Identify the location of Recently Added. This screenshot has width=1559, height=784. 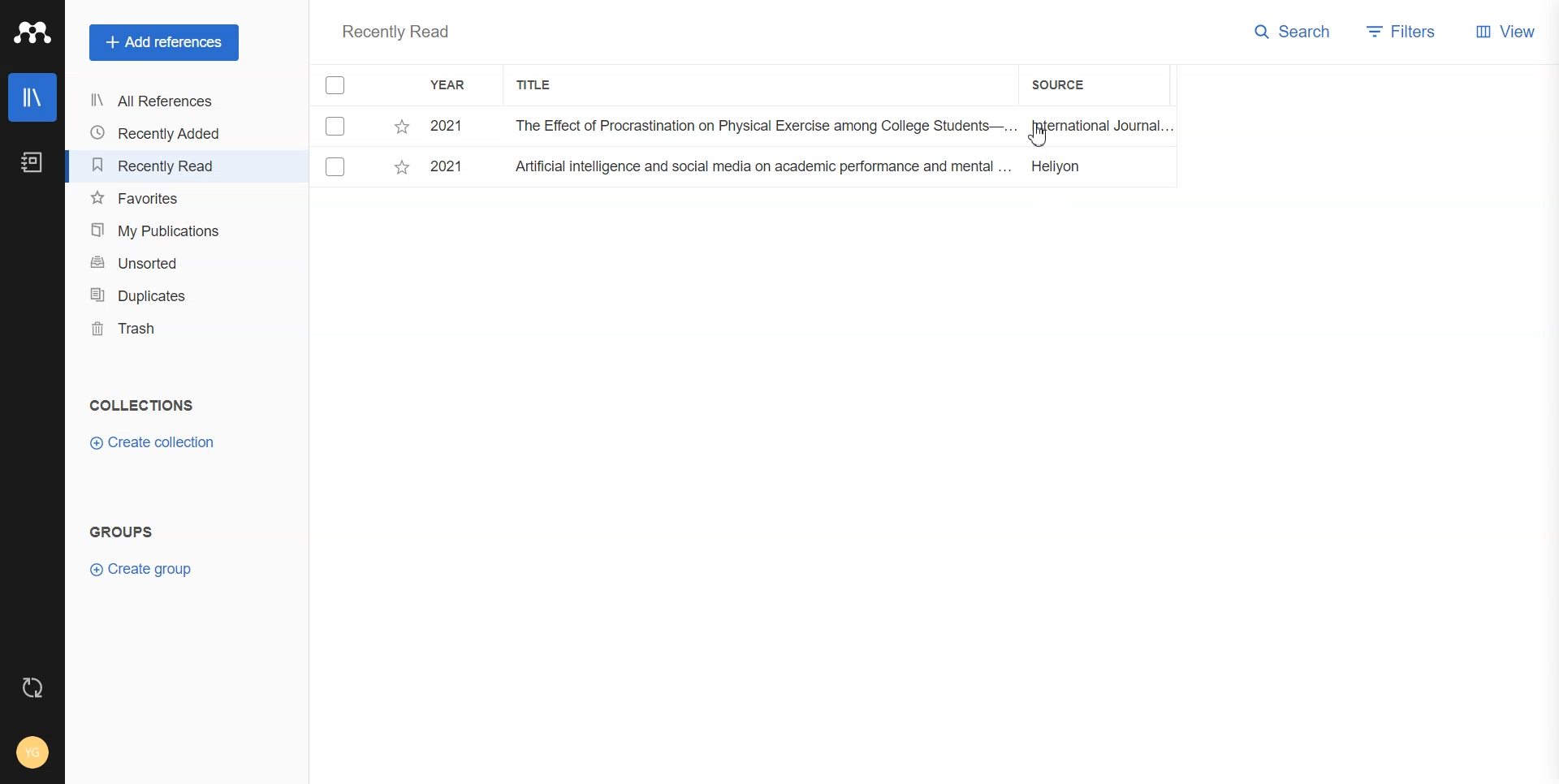
(158, 133).